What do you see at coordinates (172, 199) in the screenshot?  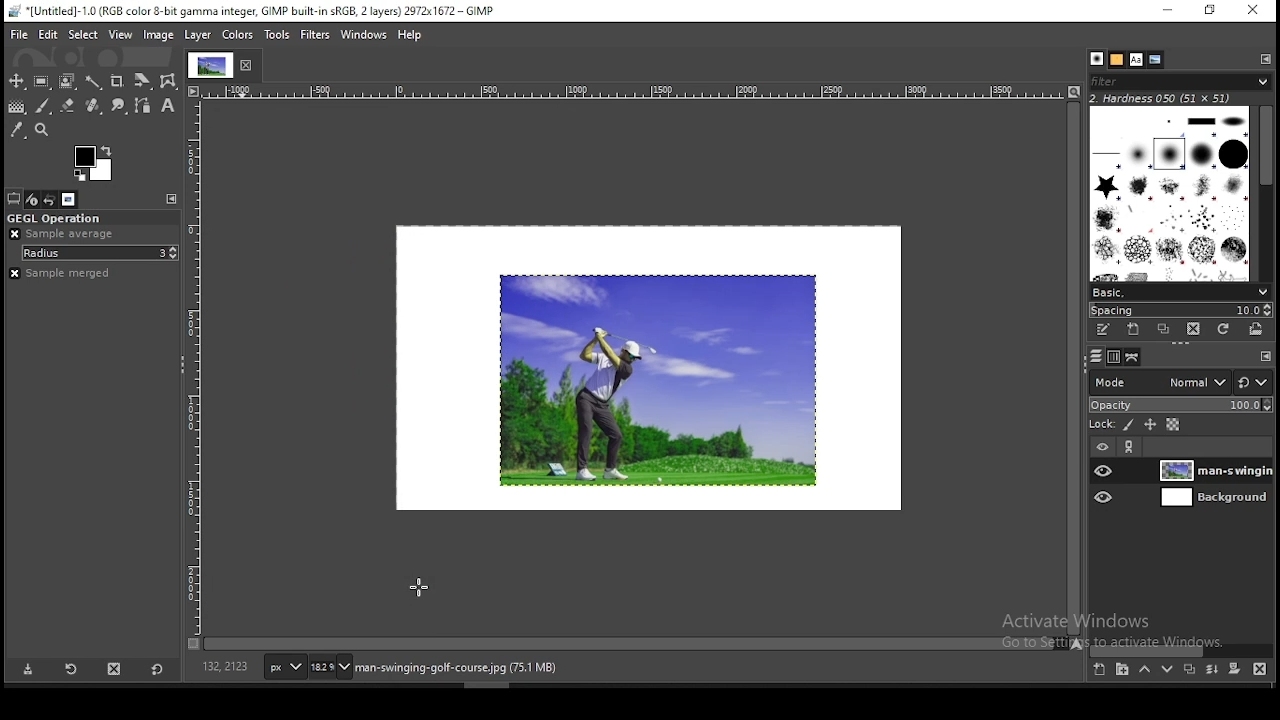 I see `configure this tab` at bounding box center [172, 199].